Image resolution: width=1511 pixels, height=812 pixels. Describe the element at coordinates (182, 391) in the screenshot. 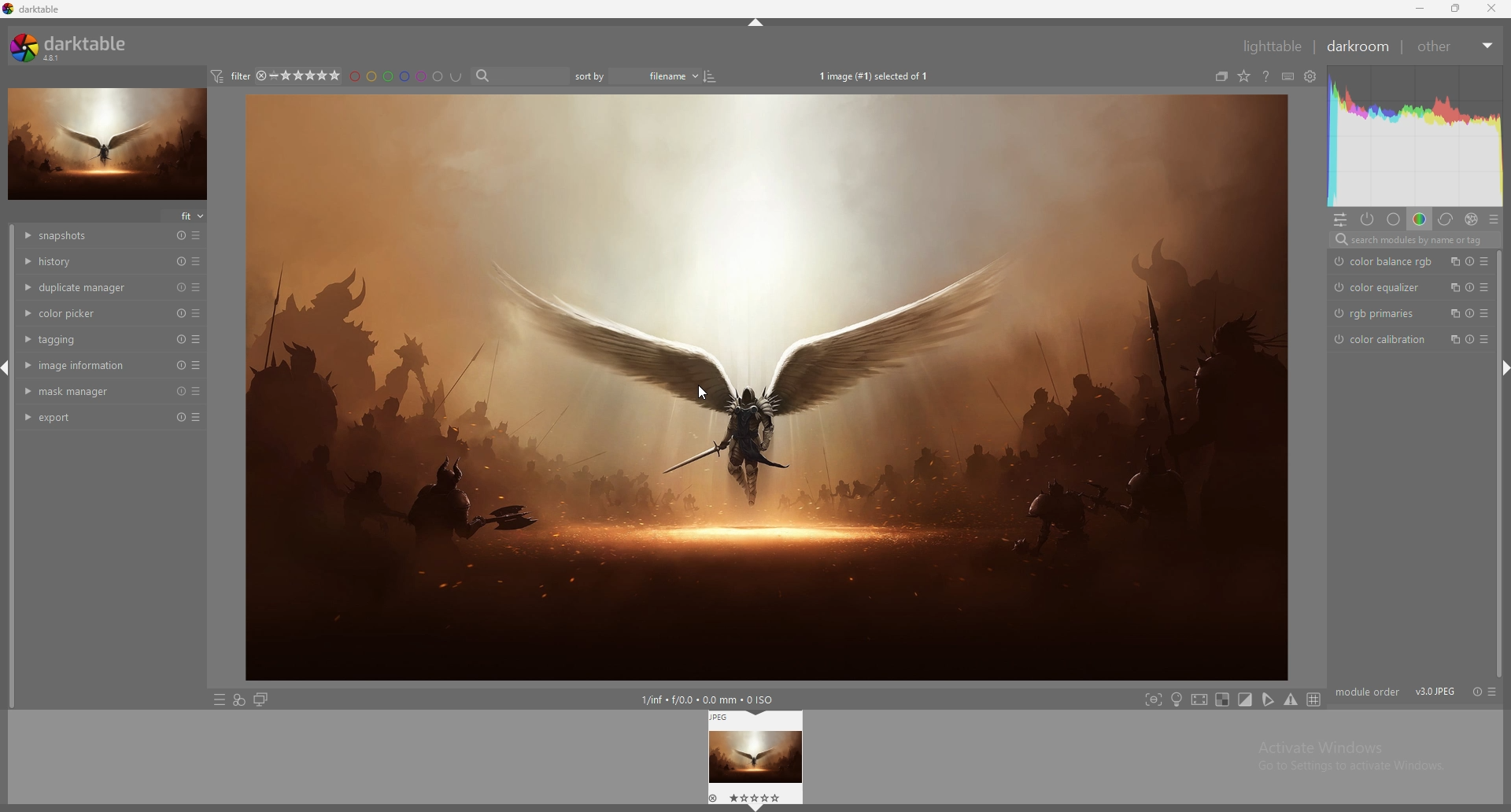

I see `reset` at that location.